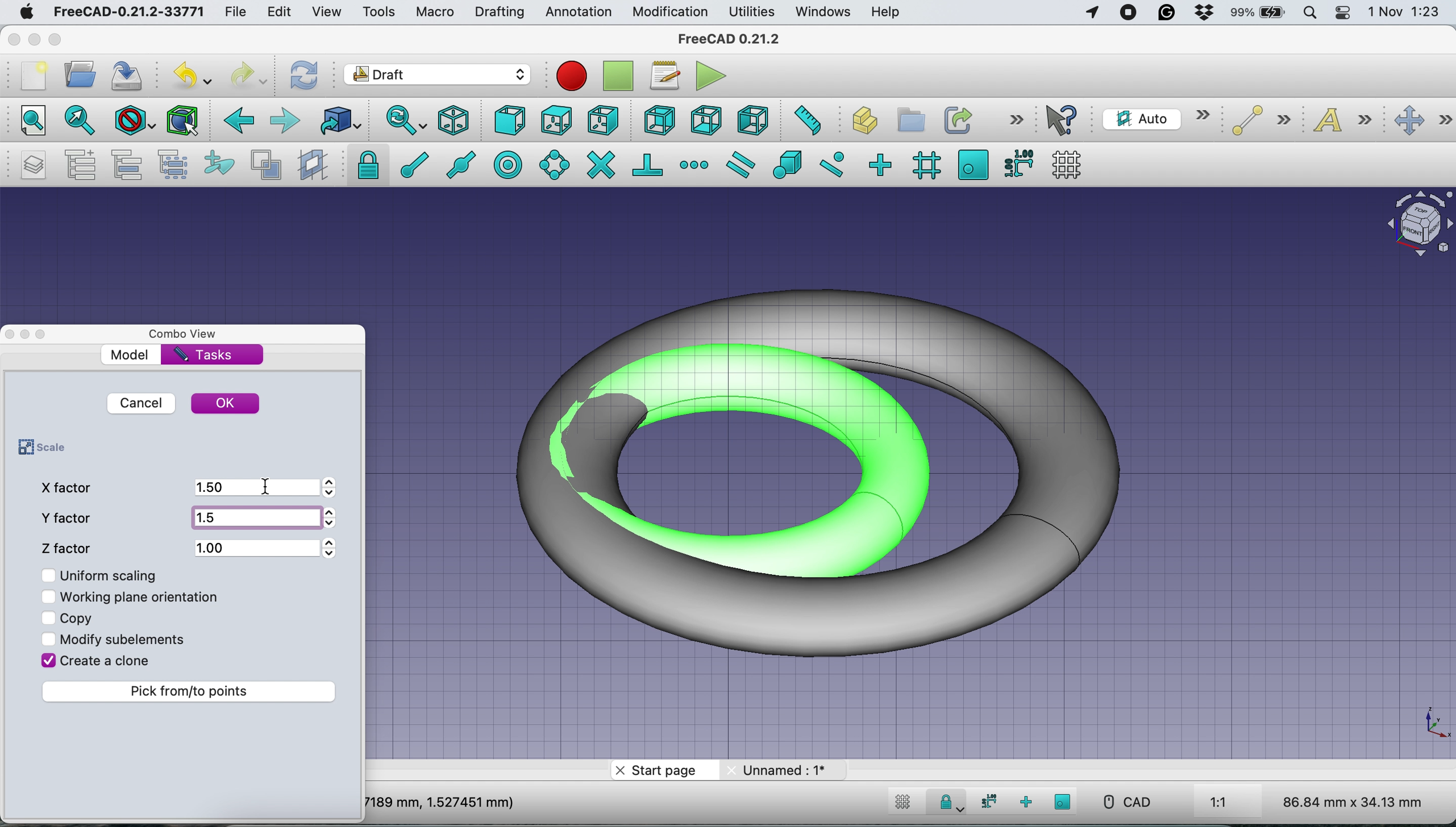  What do you see at coordinates (48, 640) in the screenshot?
I see `Checkbox` at bounding box center [48, 640].